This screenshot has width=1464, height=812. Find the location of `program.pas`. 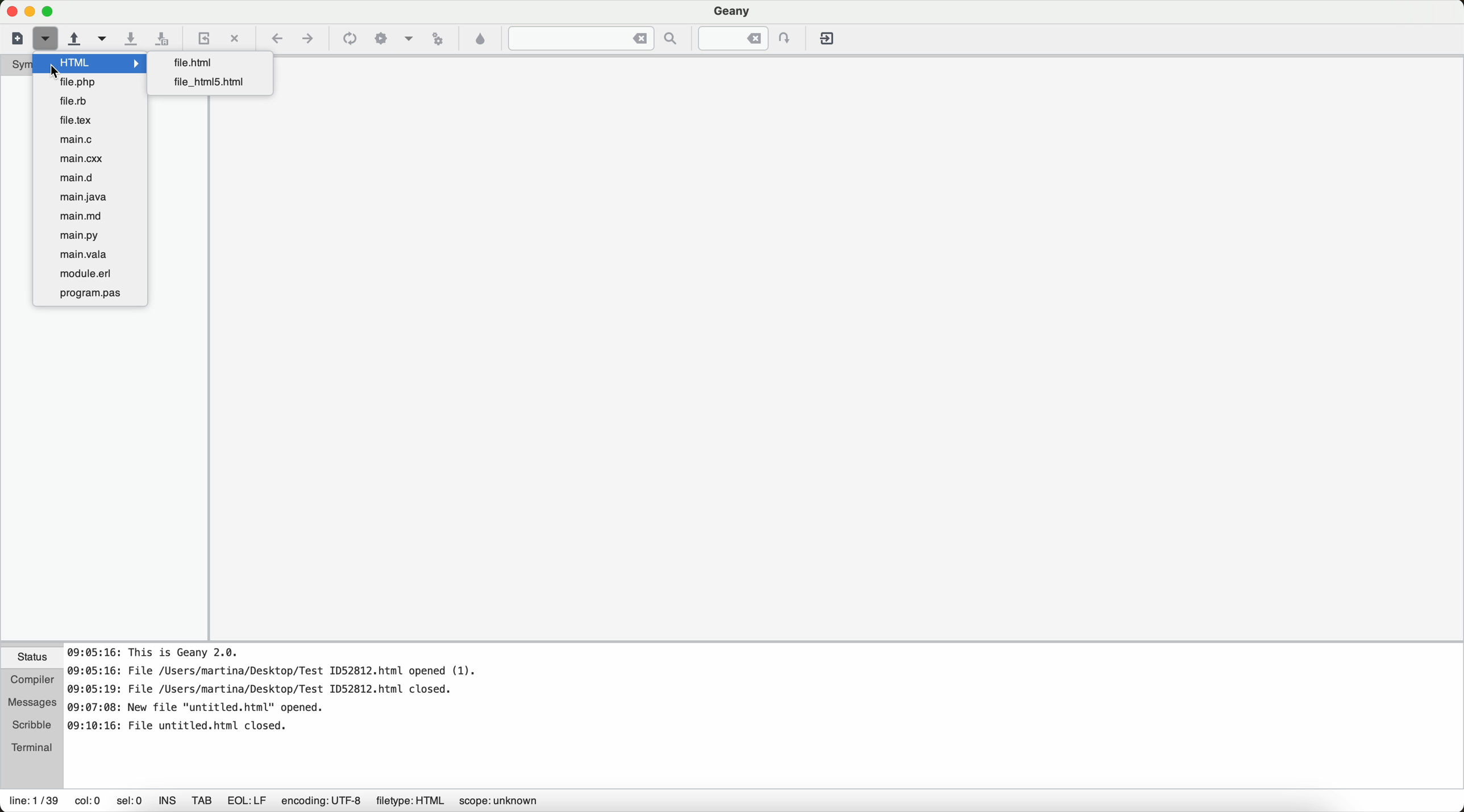

program.pas is located at coordinates (90, 292).